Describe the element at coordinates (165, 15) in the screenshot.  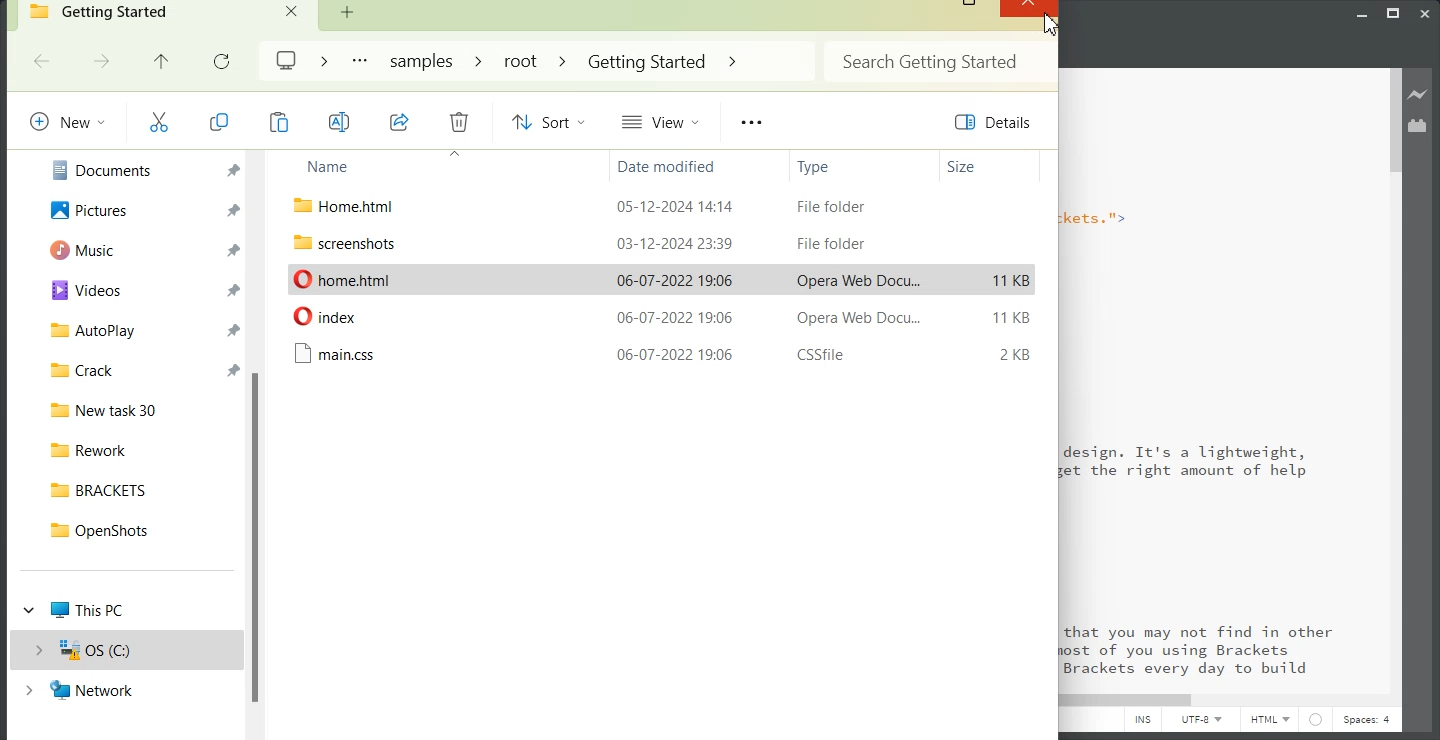
I see `Getting Started` at that location.